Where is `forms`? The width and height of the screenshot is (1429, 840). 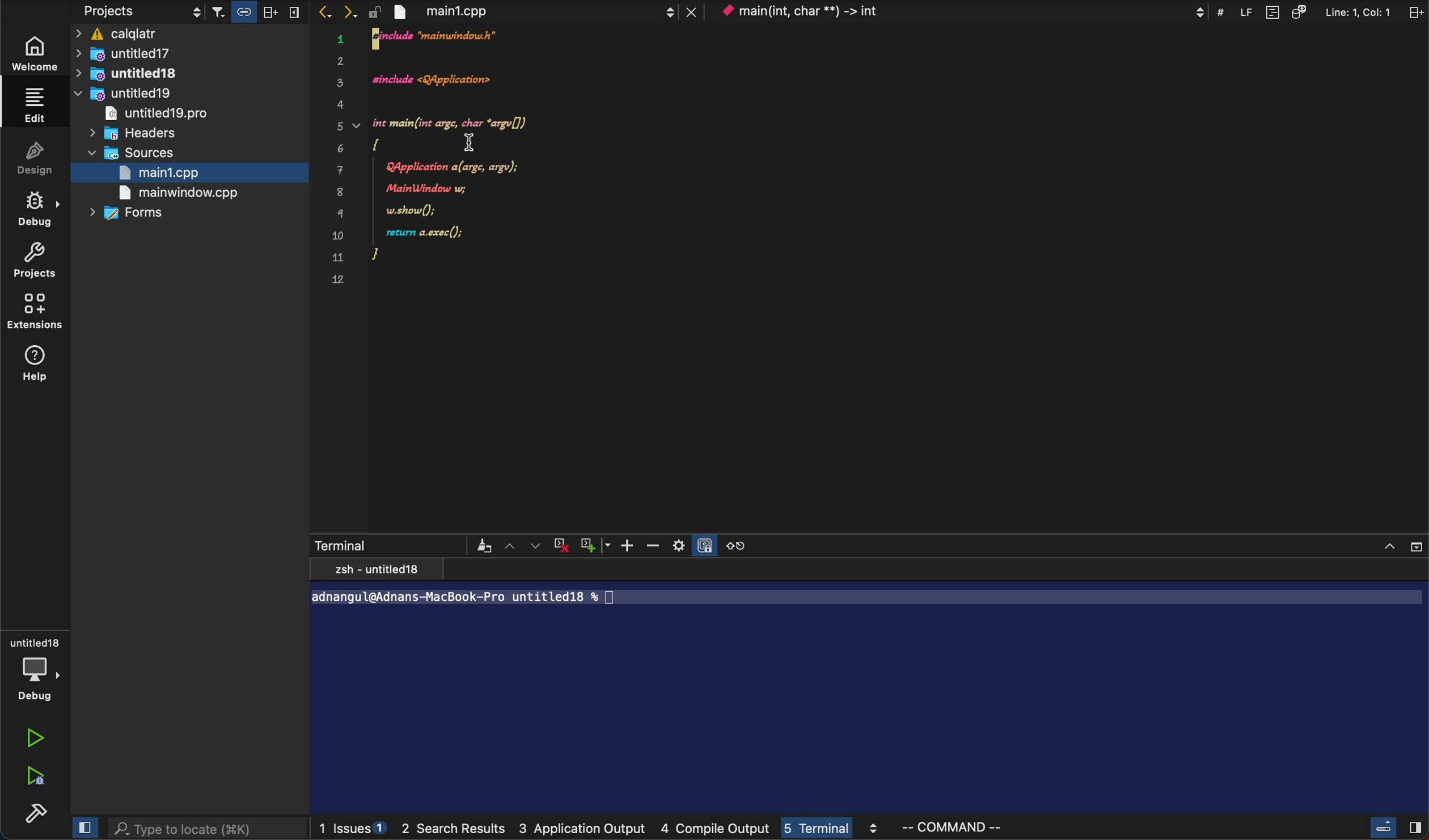
forms is located at coordinates (132, 216).